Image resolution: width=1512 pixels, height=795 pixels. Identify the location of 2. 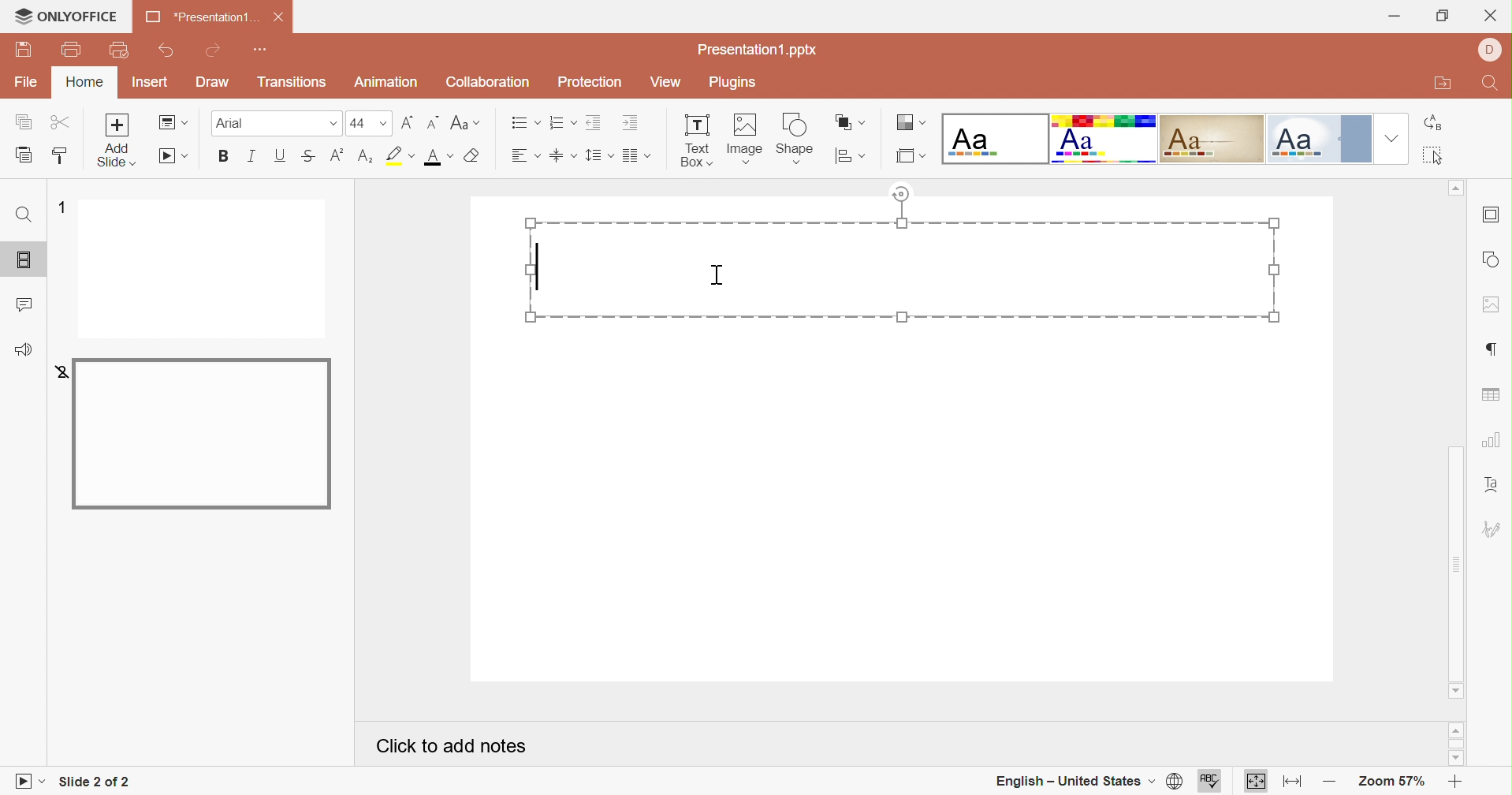
(57, 371).